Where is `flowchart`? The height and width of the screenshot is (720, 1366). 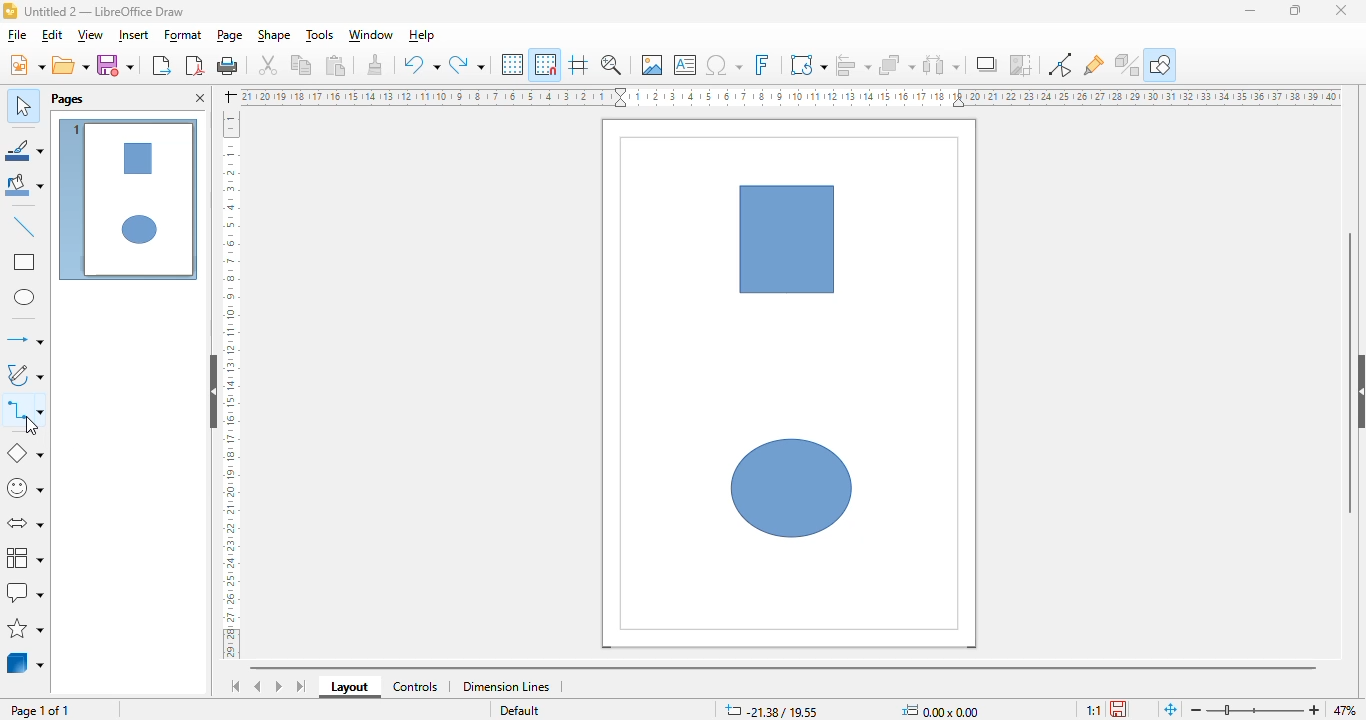
flowchart is located at coordinates (25, 557).